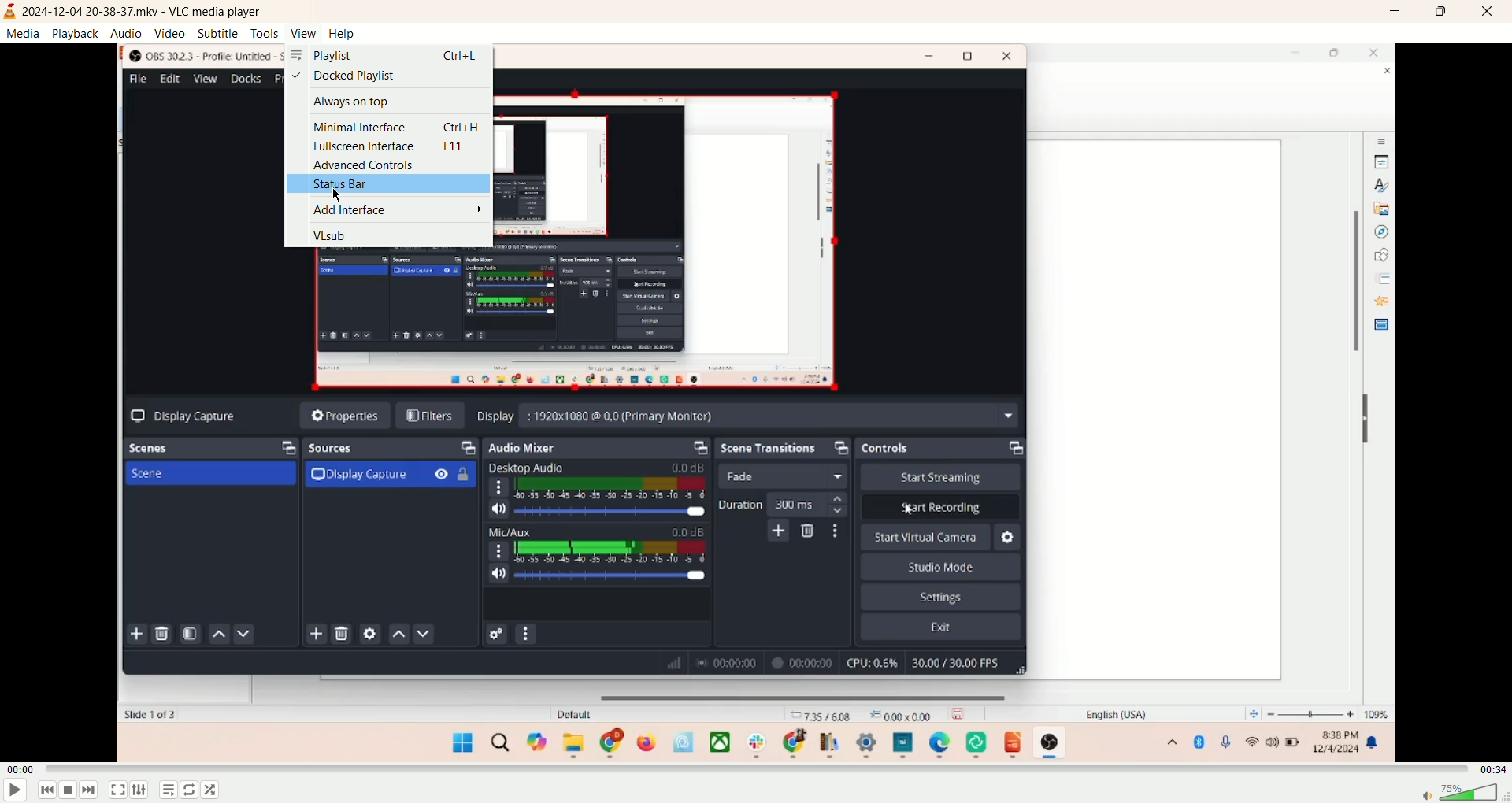 This screenshot has width=1512, height=803. I want to click on played time, so click(20, 768).